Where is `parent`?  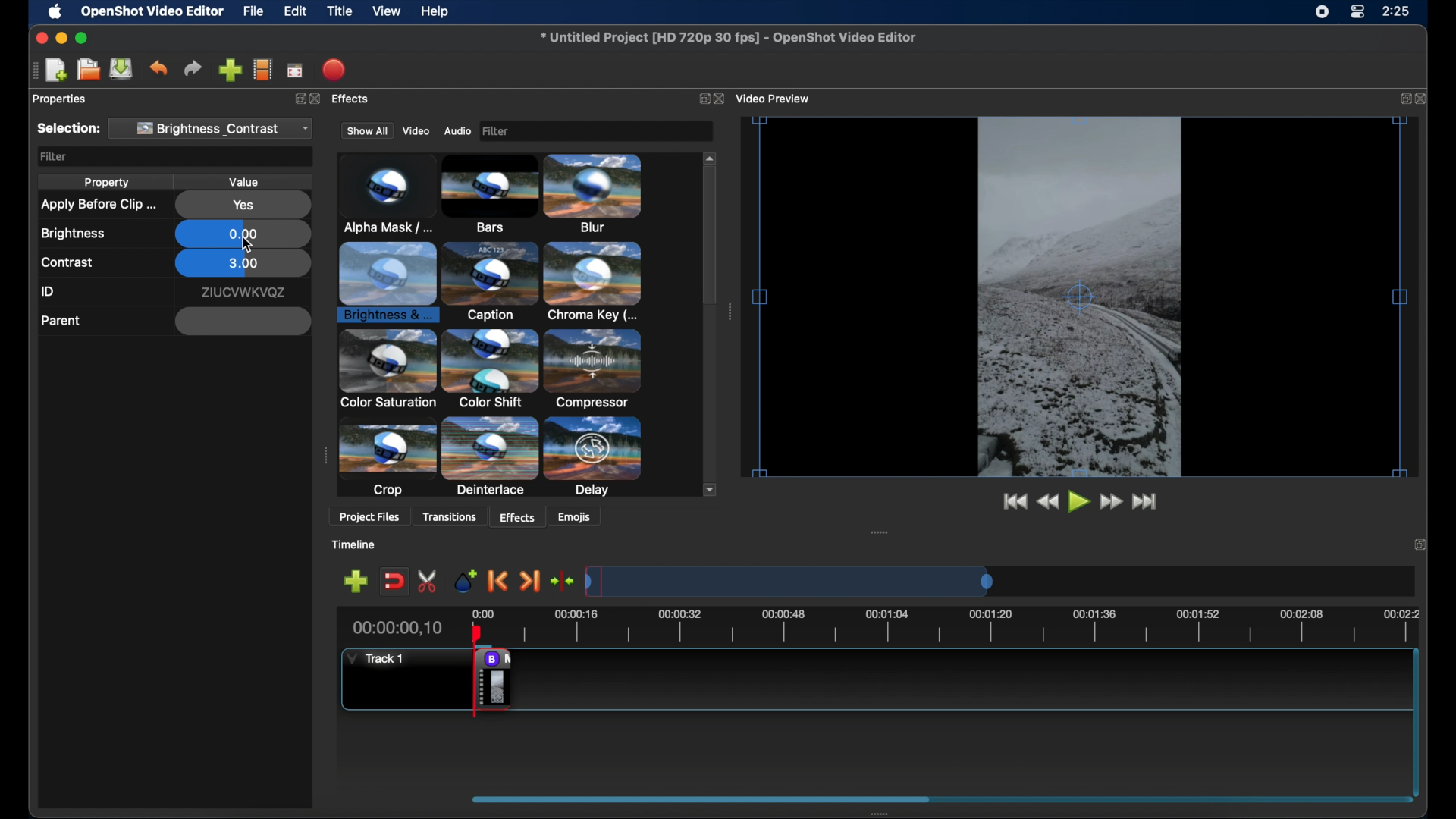 parent is located at coordinates (61, 321).